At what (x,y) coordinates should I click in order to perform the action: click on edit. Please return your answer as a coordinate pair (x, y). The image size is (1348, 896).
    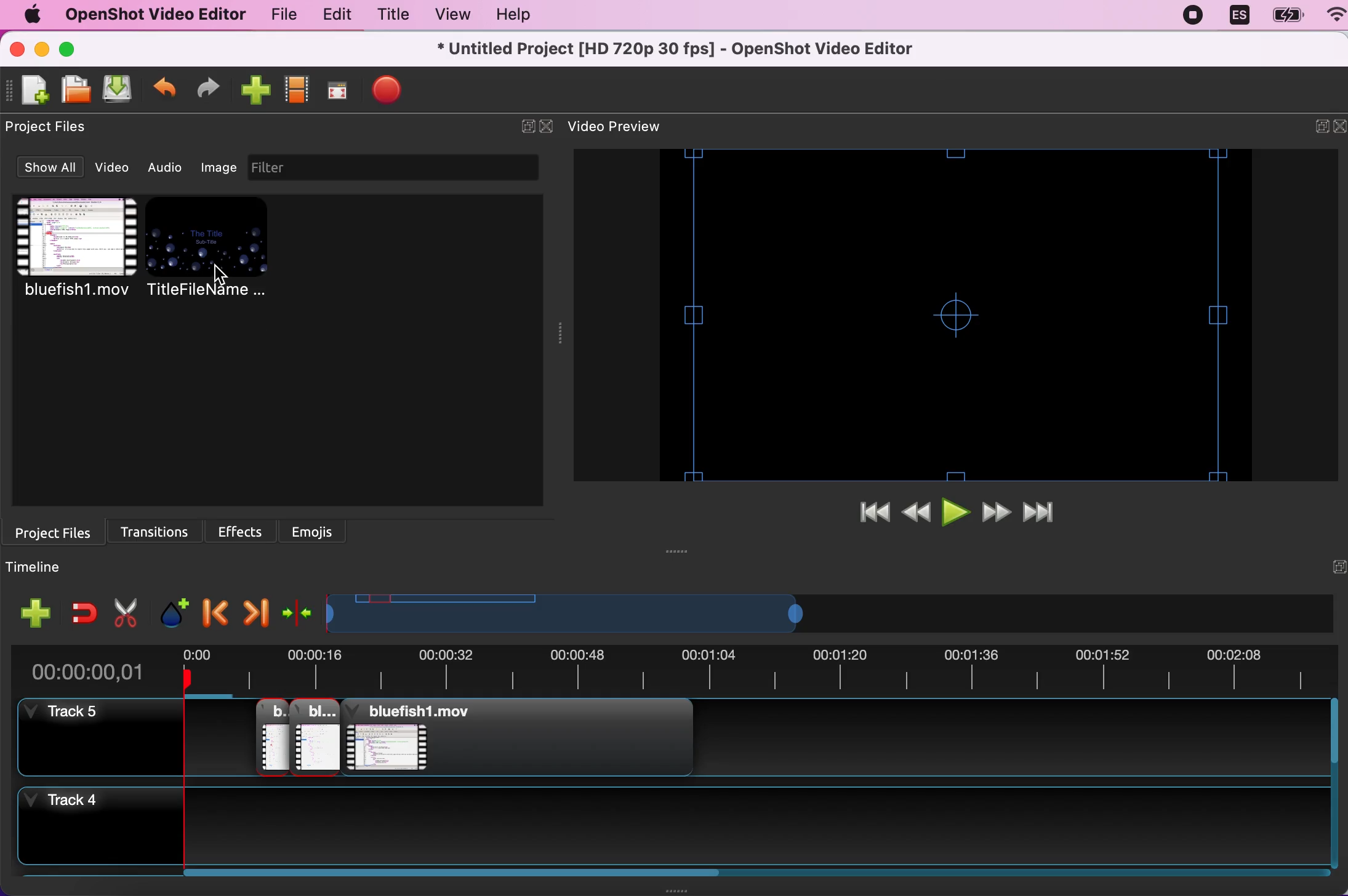
    Looking at the image, I should click on (334, 15).